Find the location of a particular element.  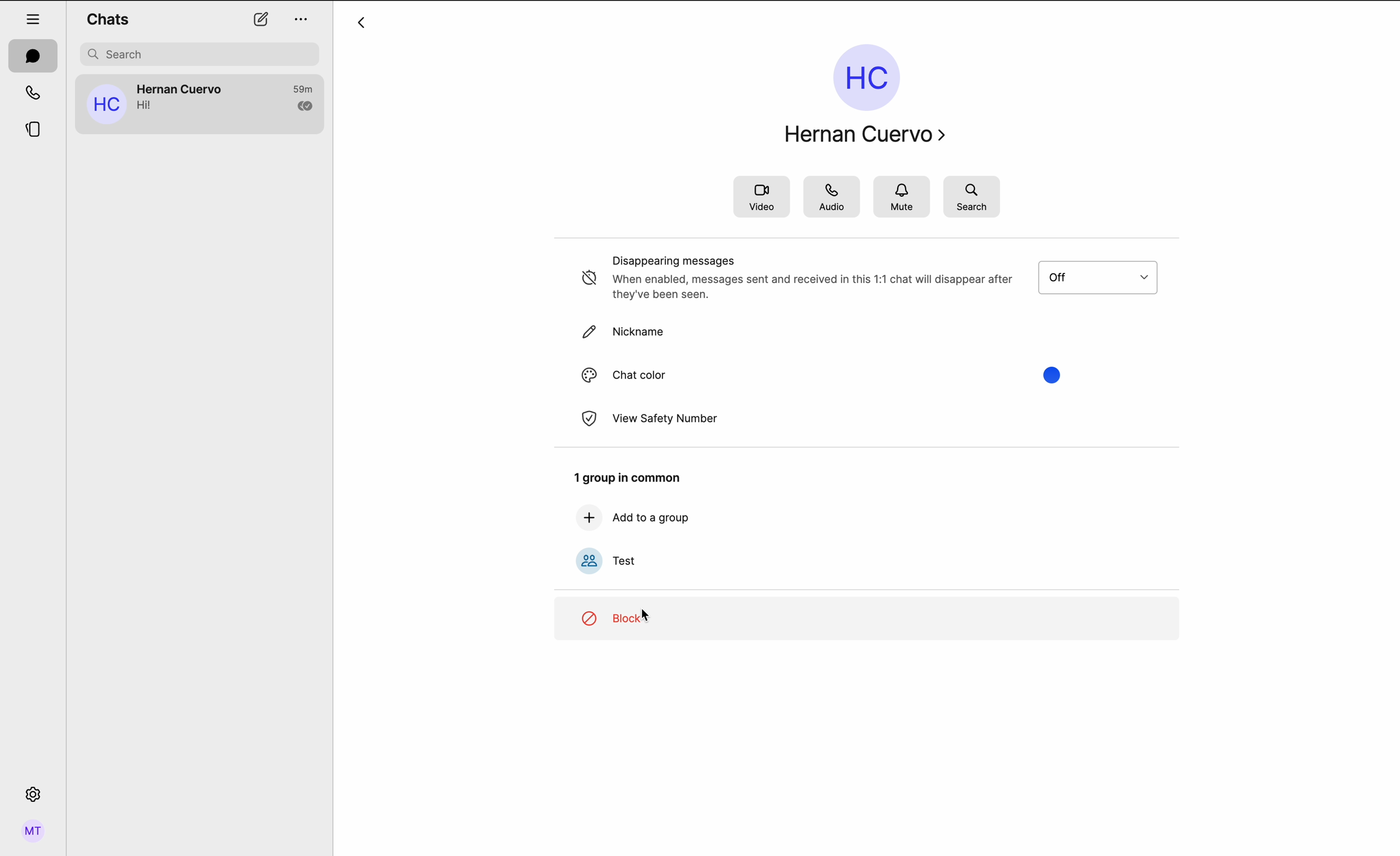

mute is located at coordinates (903, 197).